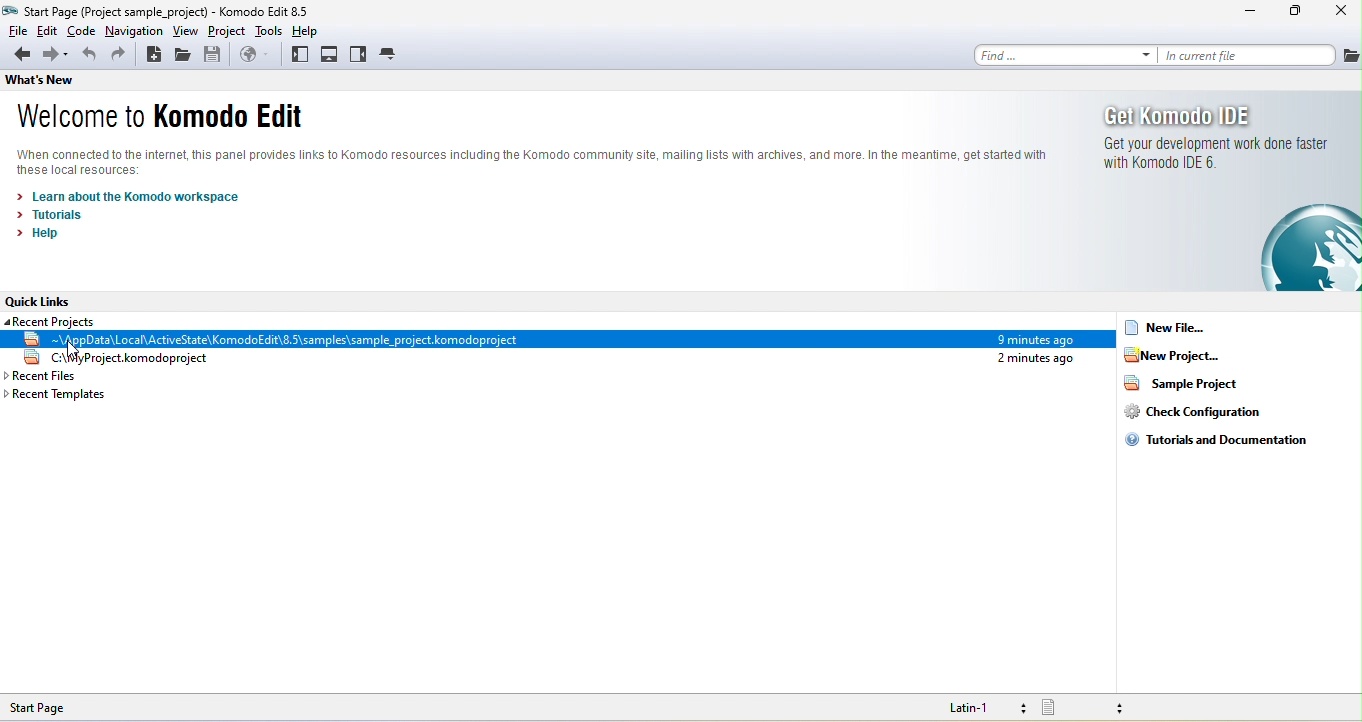  What do you see at coordinates (152, 55) in the screenshot?
I see `new` at bounding box center [152, 55].